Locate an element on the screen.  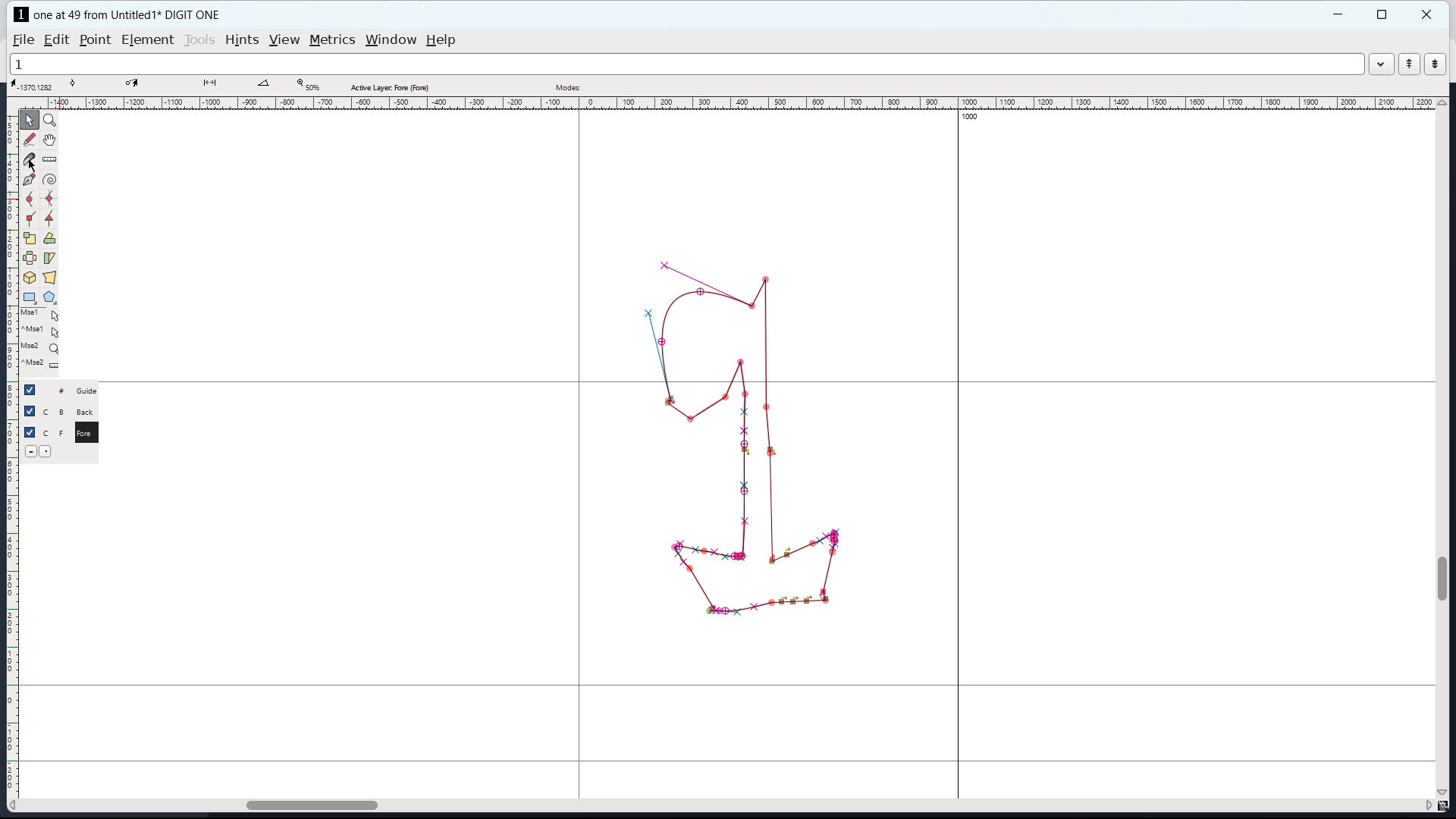
scroll left is located at coordinates (16, 805).